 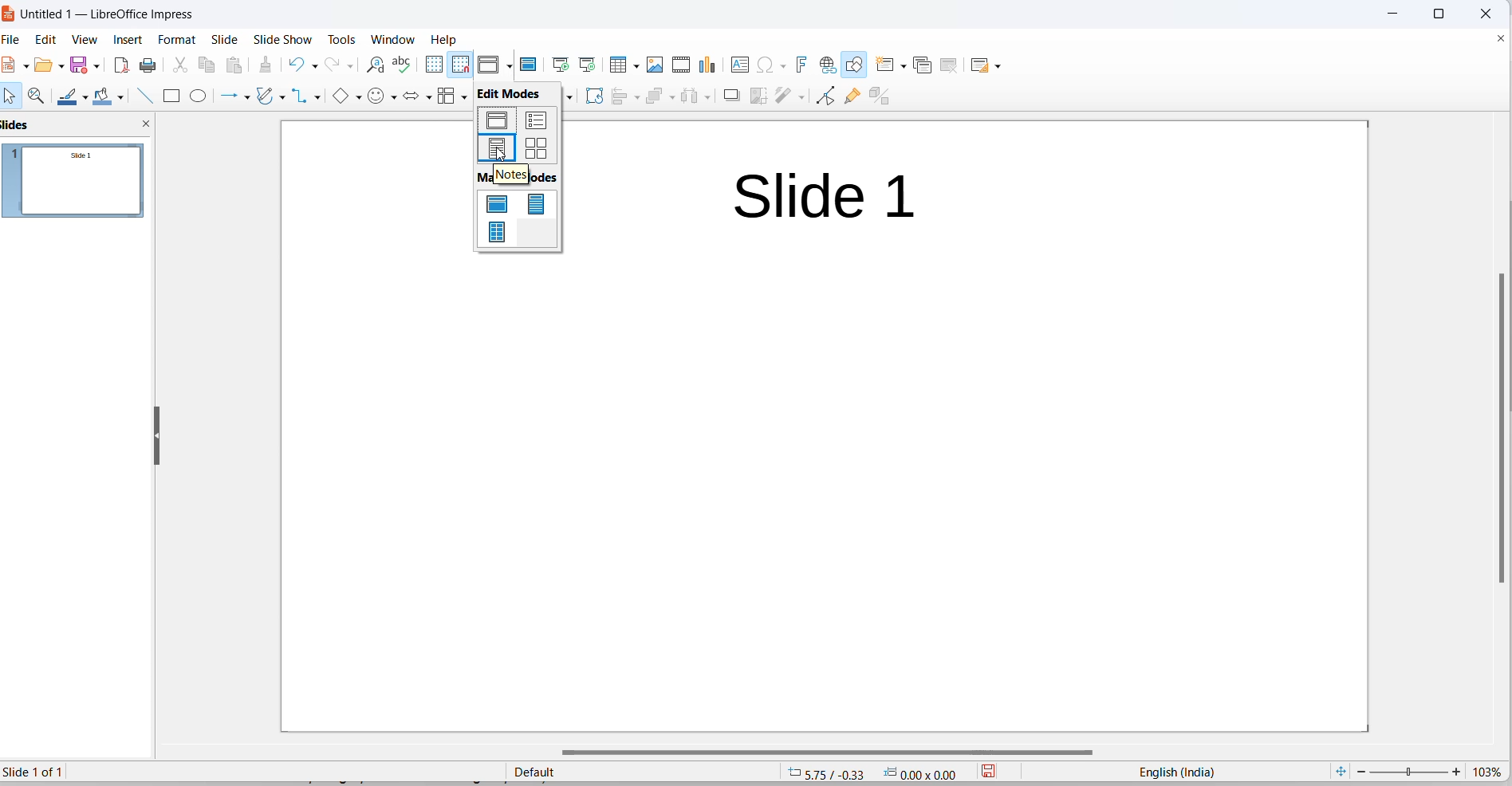 I want to click on table grid, so click(x=635, y=68).